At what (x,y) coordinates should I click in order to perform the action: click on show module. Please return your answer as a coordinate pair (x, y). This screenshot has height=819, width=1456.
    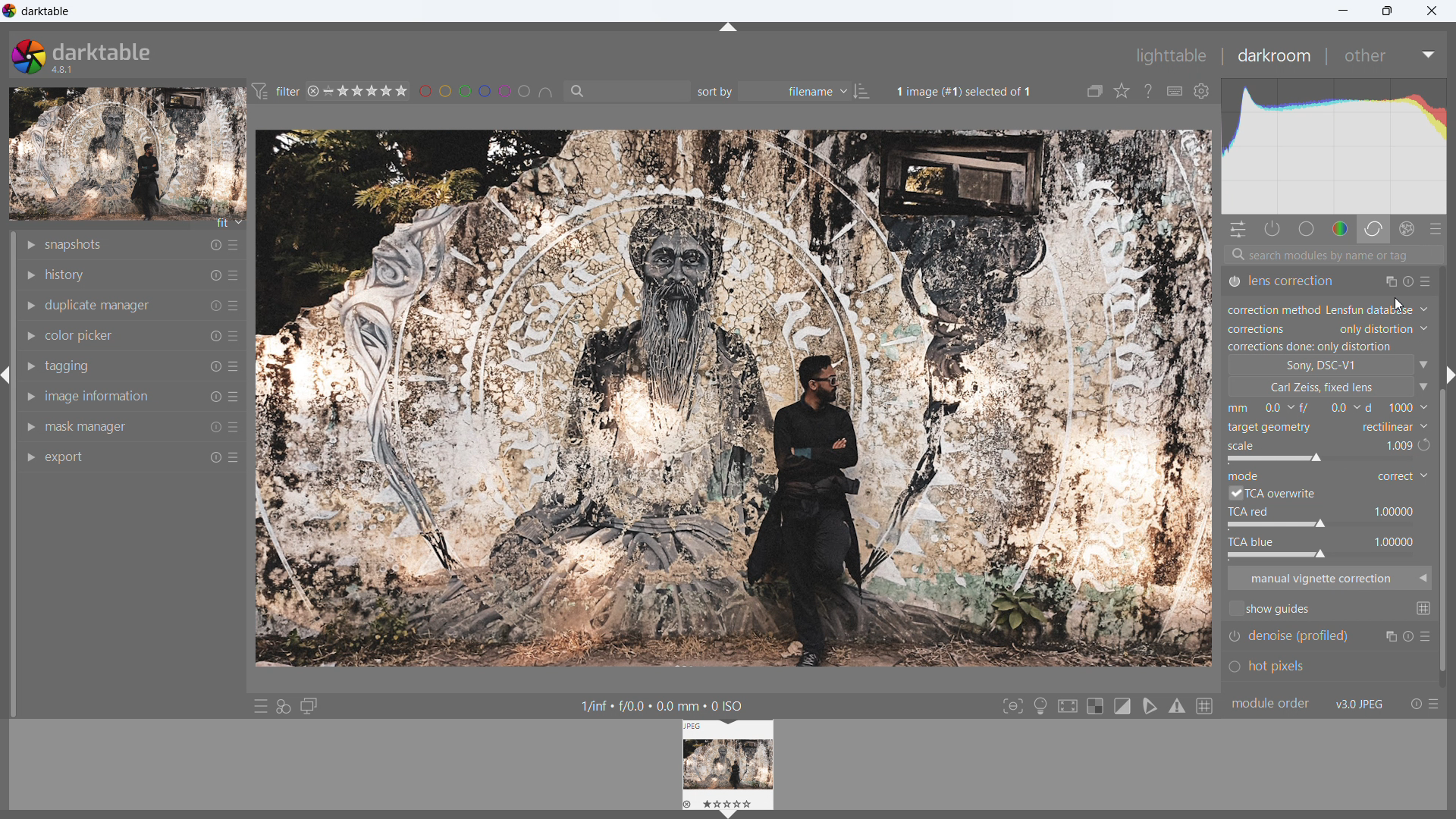
    Looking at the image, I should click on (30, 365).